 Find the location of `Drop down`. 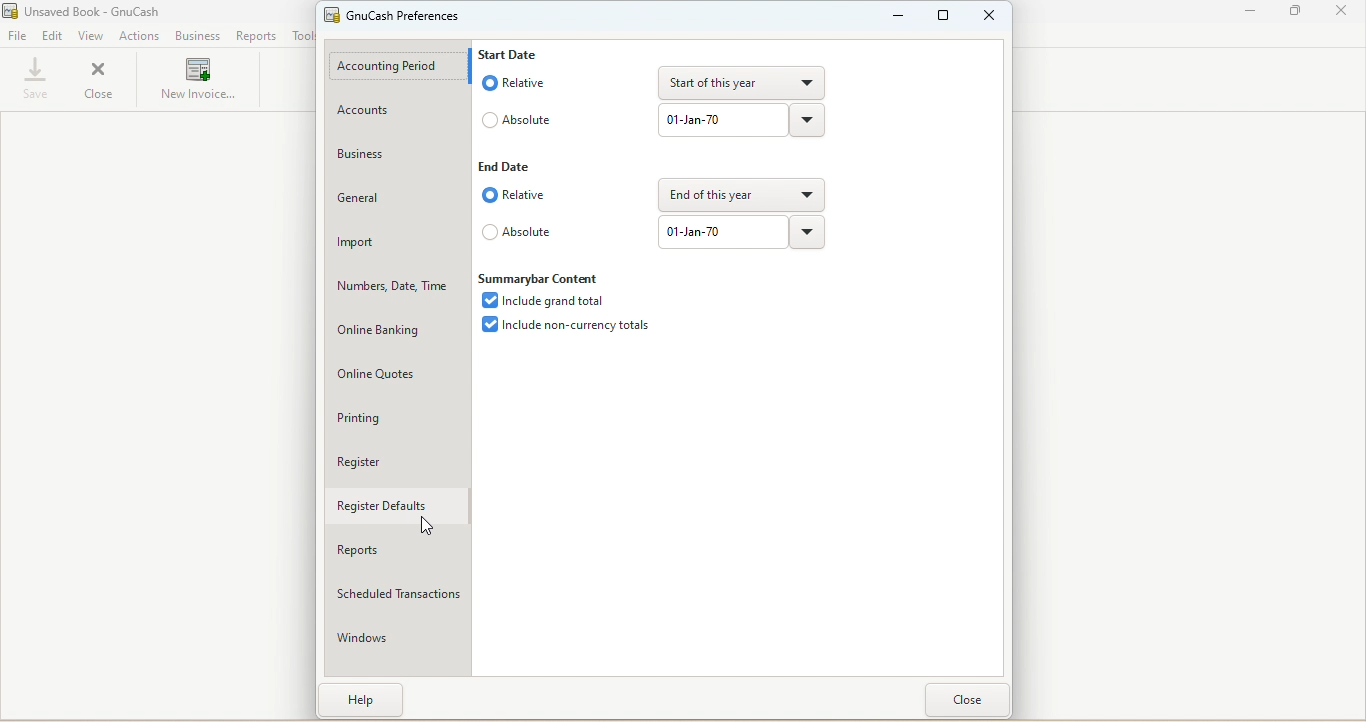

Drop down is located at coordinates (809, 232).